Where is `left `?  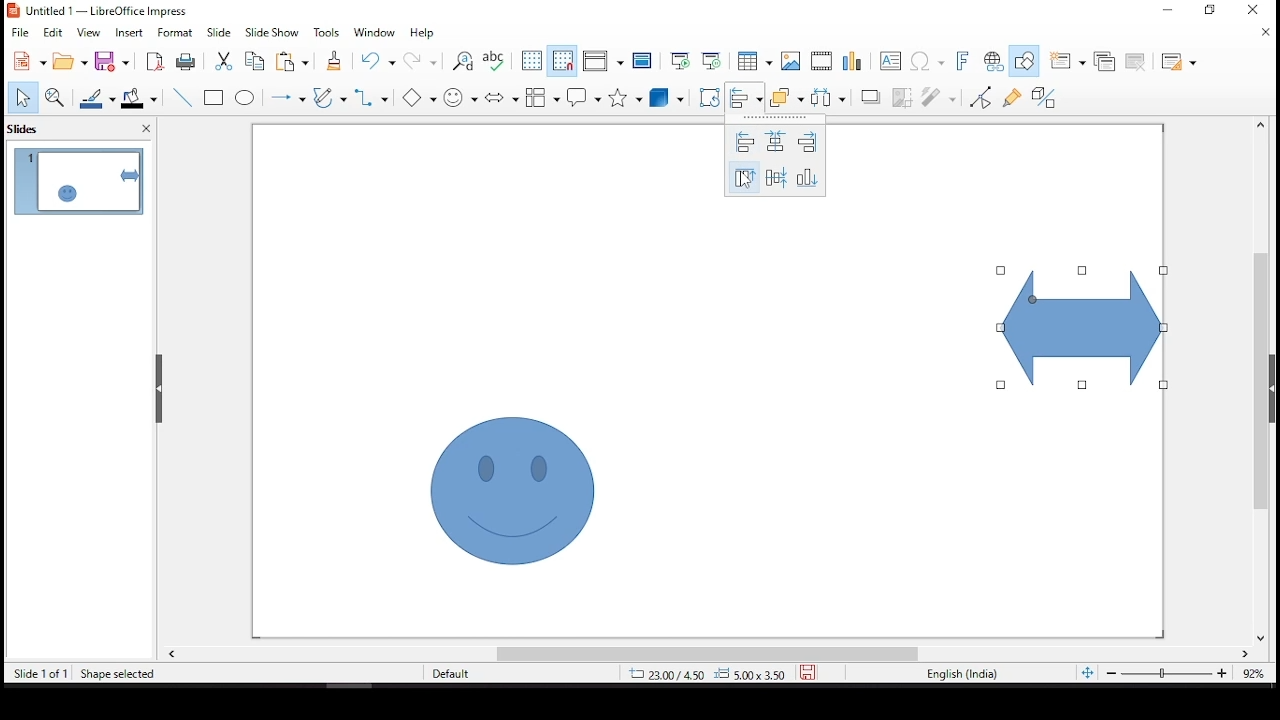 left  is located at coordinates (743, 143).